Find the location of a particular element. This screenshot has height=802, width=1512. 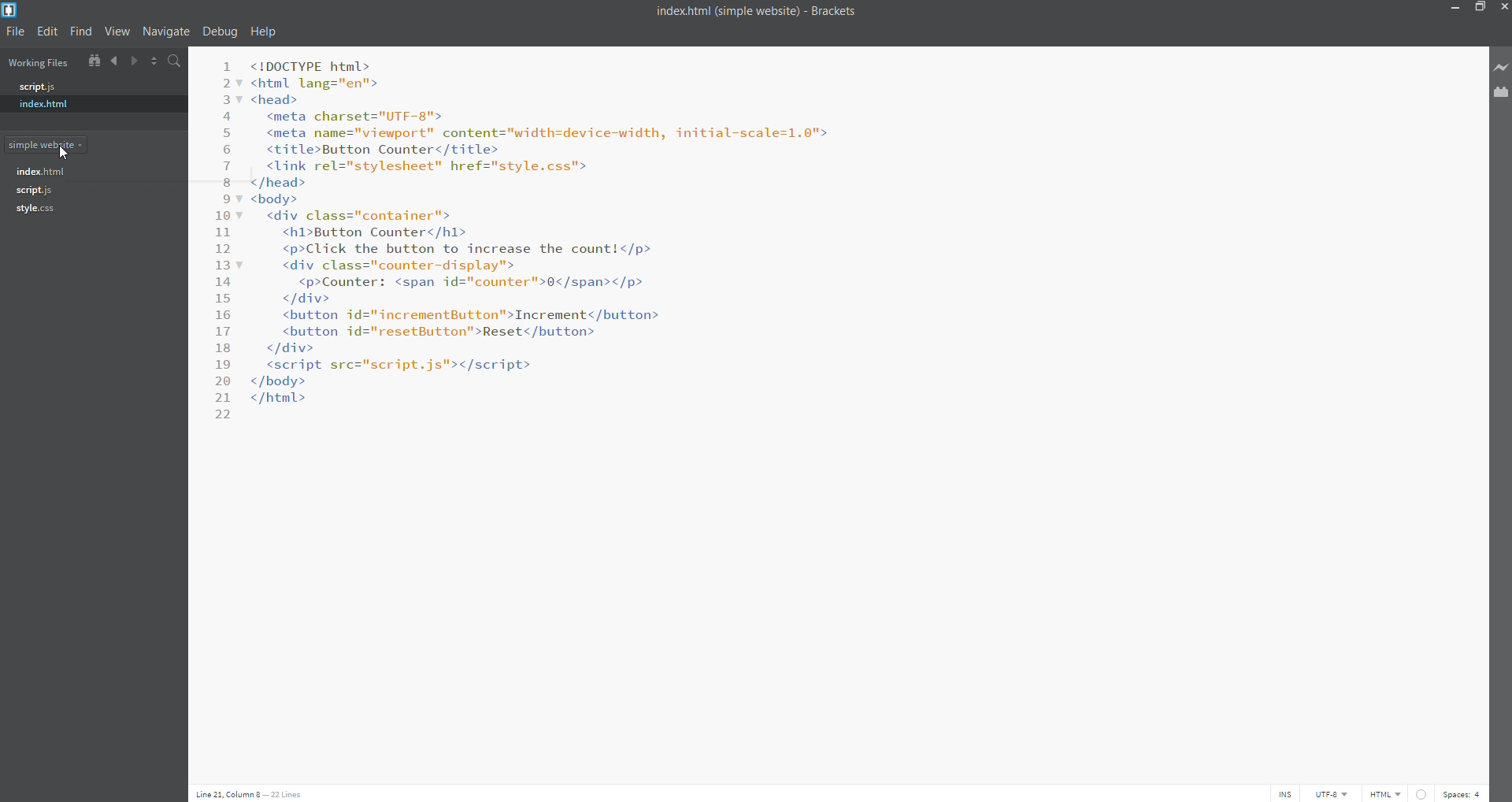

encoding: UTF-8 is located at coordinates (1333, 793).